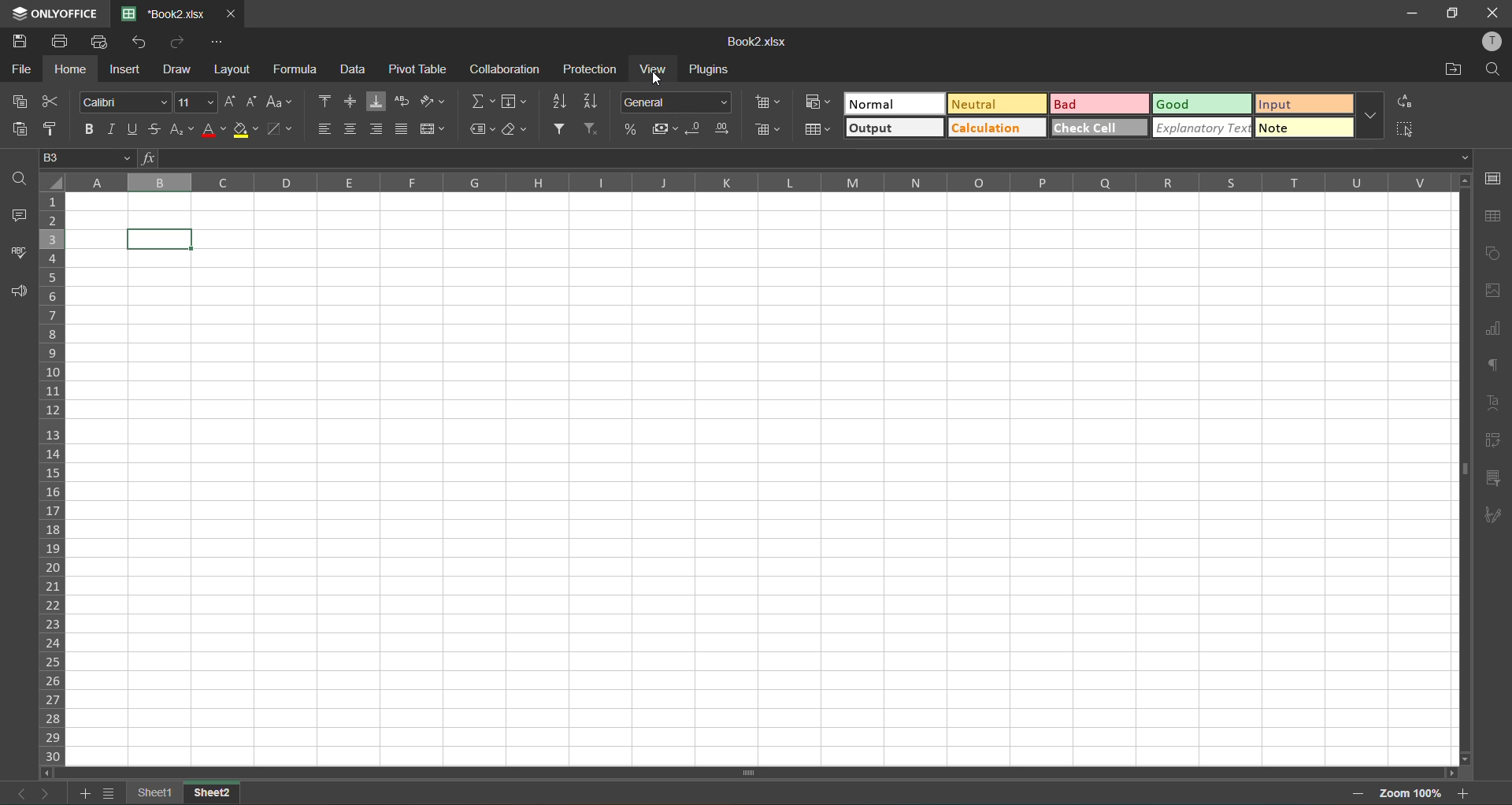 This screenshot has width=1512, height=805. What do you see at coordinates (656, 70) in the screenshot?
I see `view` at bounding box center [656, 70].